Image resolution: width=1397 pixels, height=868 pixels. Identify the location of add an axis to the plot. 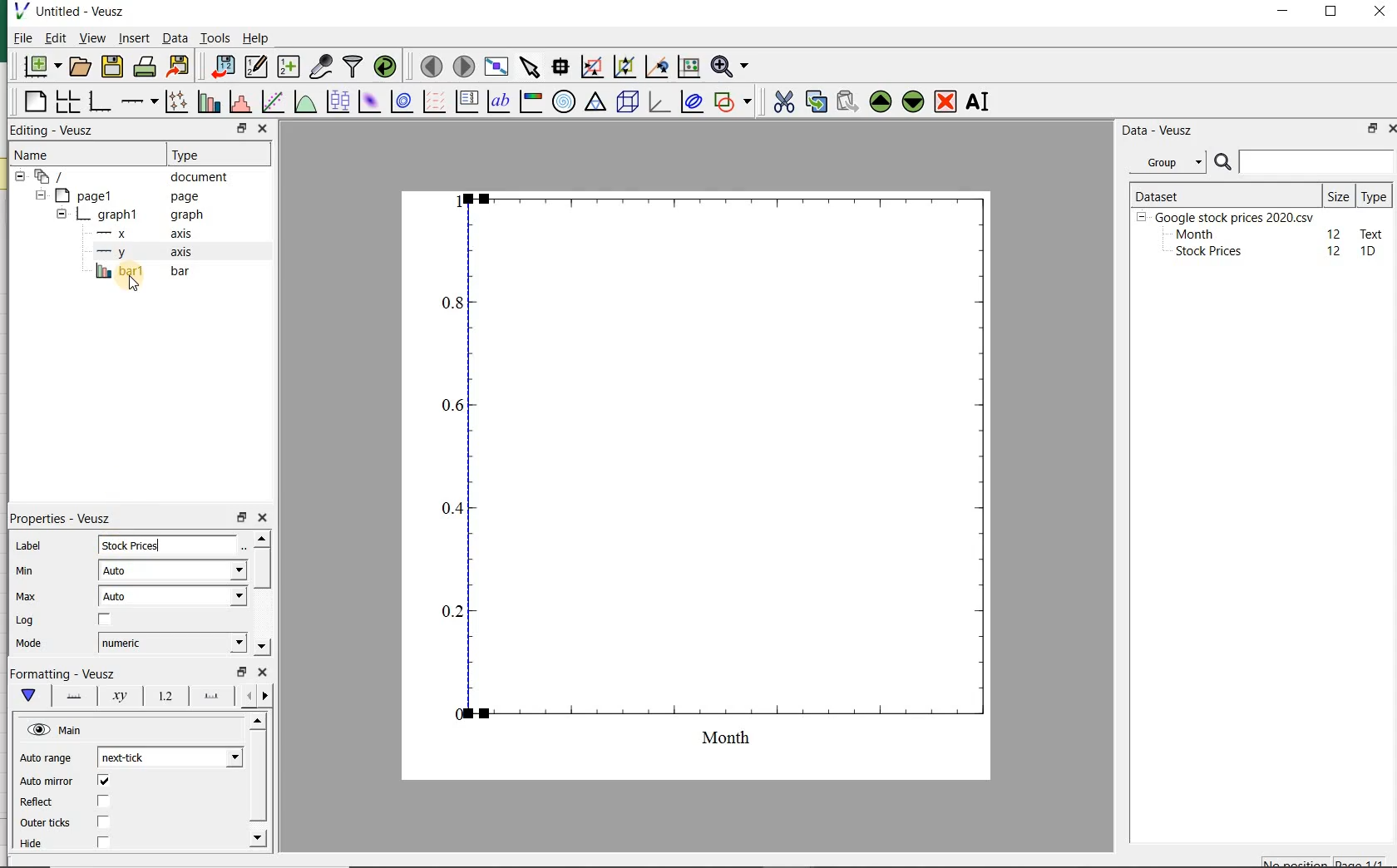
(138, 103).